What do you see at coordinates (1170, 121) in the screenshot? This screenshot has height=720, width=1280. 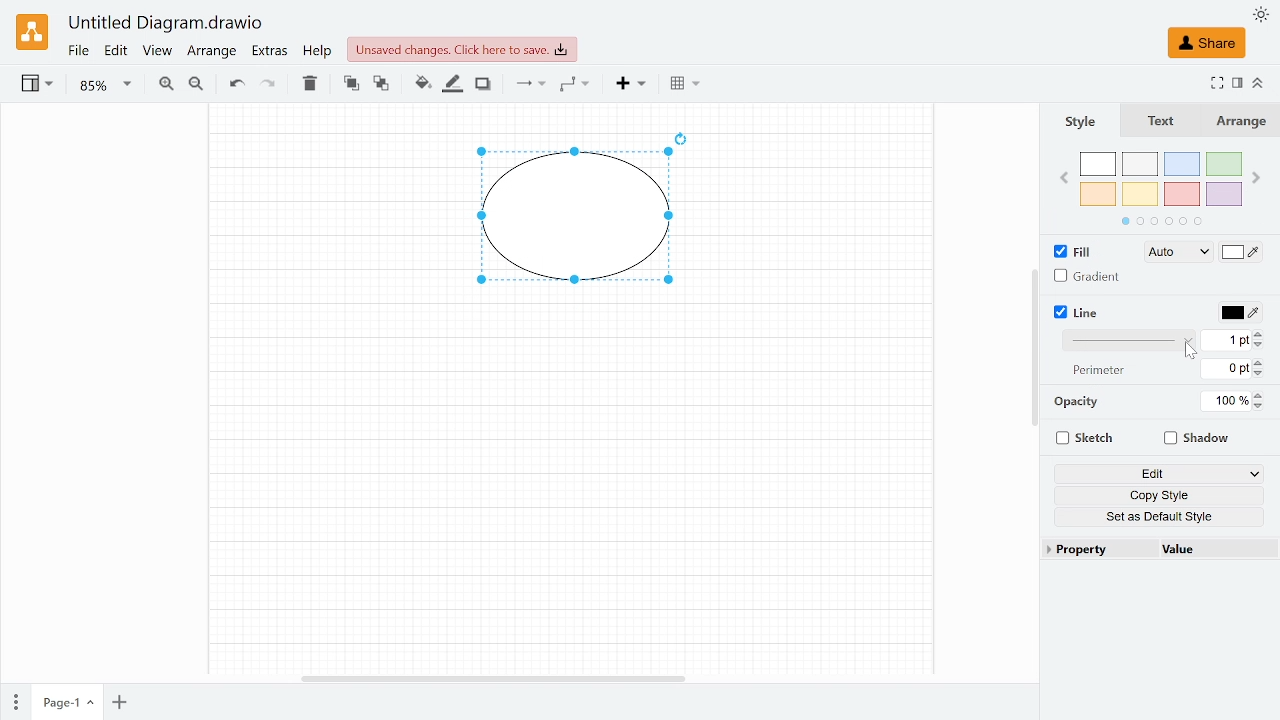 I see `Text` at bounding box center [1170, 121].